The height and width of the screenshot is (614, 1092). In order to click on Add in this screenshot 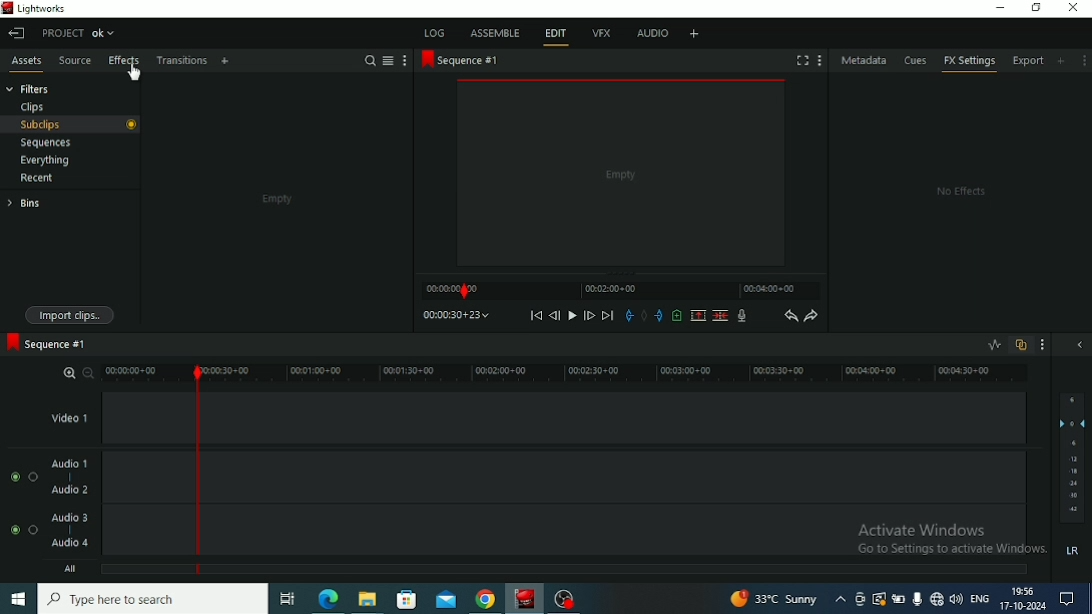, I will do `click(225, 62)`.